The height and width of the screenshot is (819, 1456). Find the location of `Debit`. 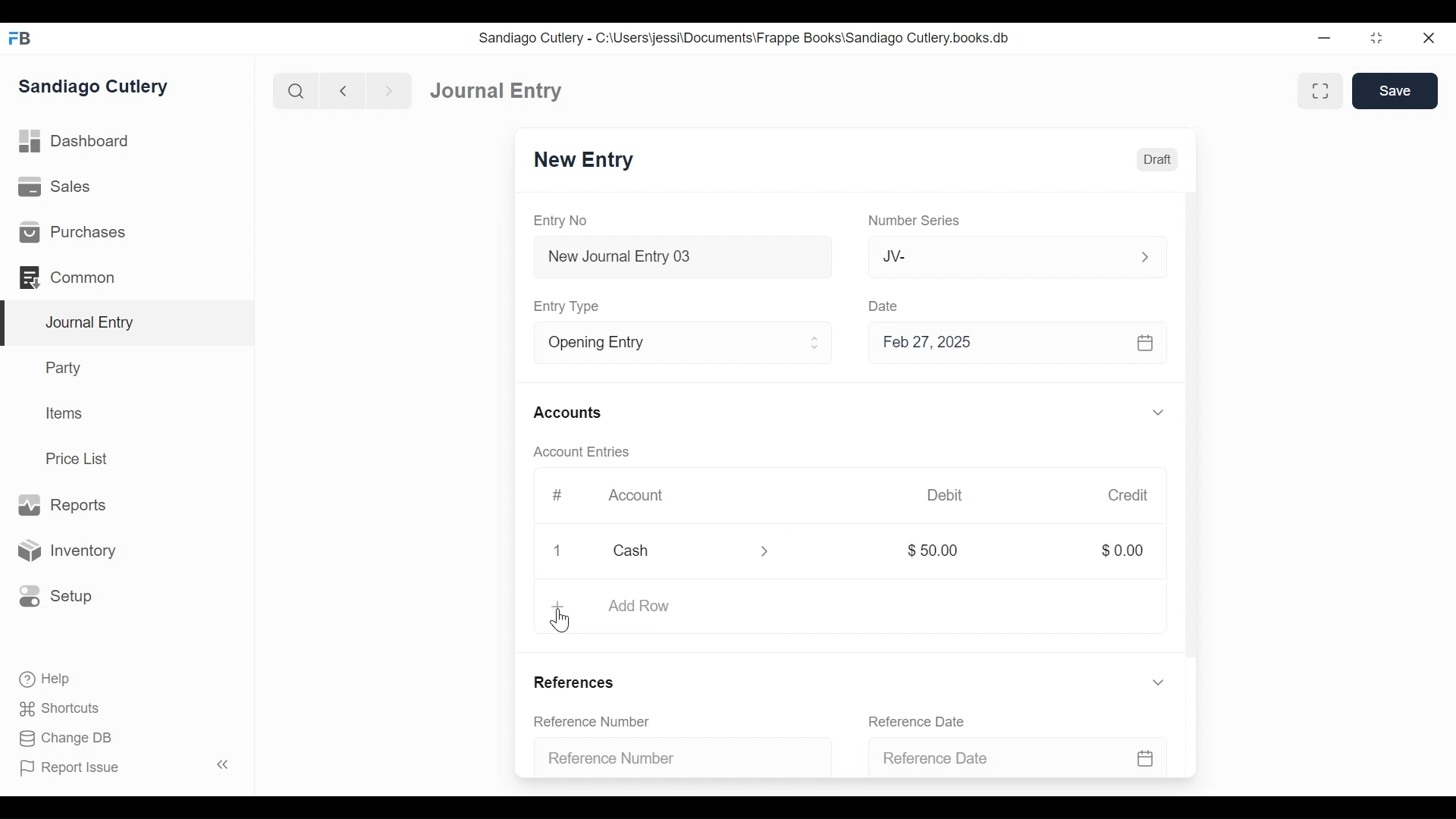

Debit is located at coordinates (946, 494).